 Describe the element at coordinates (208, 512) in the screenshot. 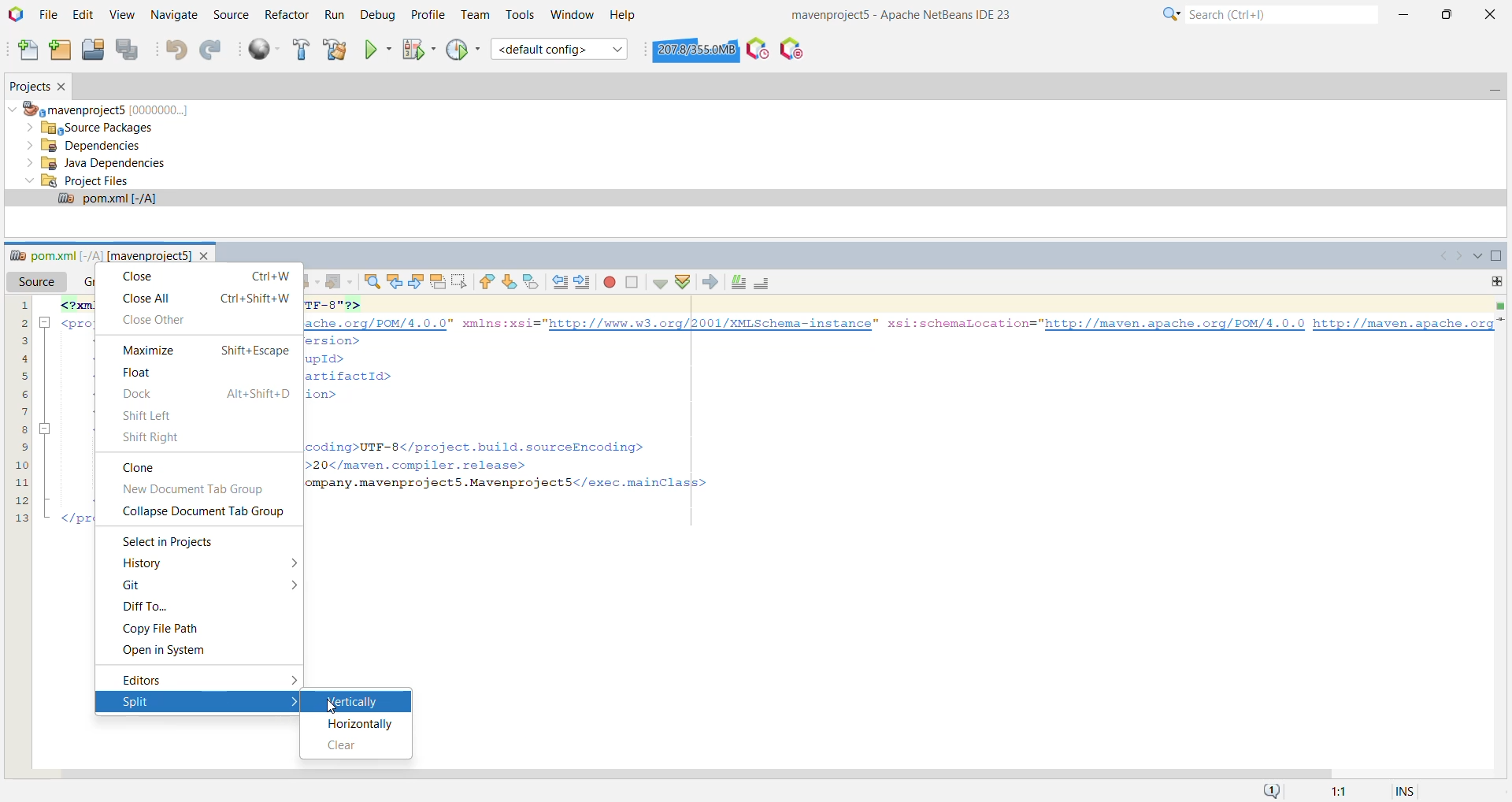

I see `Collapse Document Tab Group` at that location.